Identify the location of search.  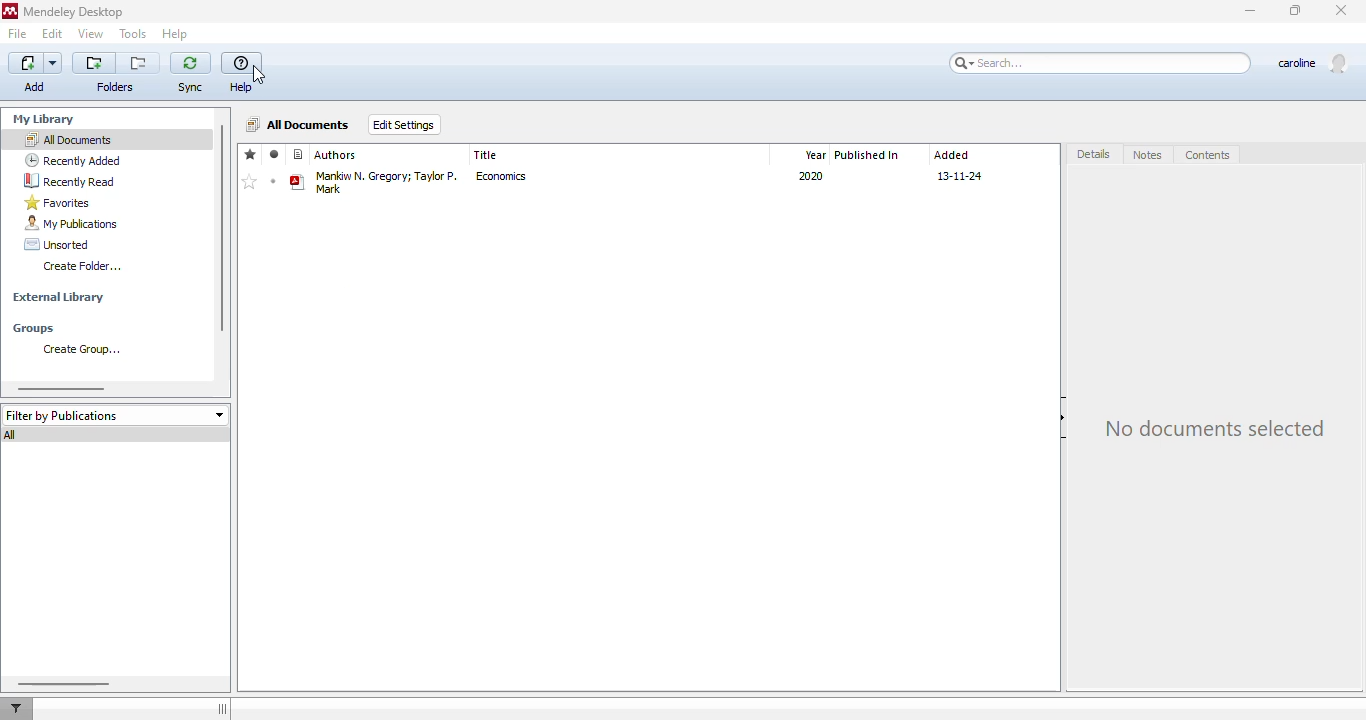
(1099, 63).